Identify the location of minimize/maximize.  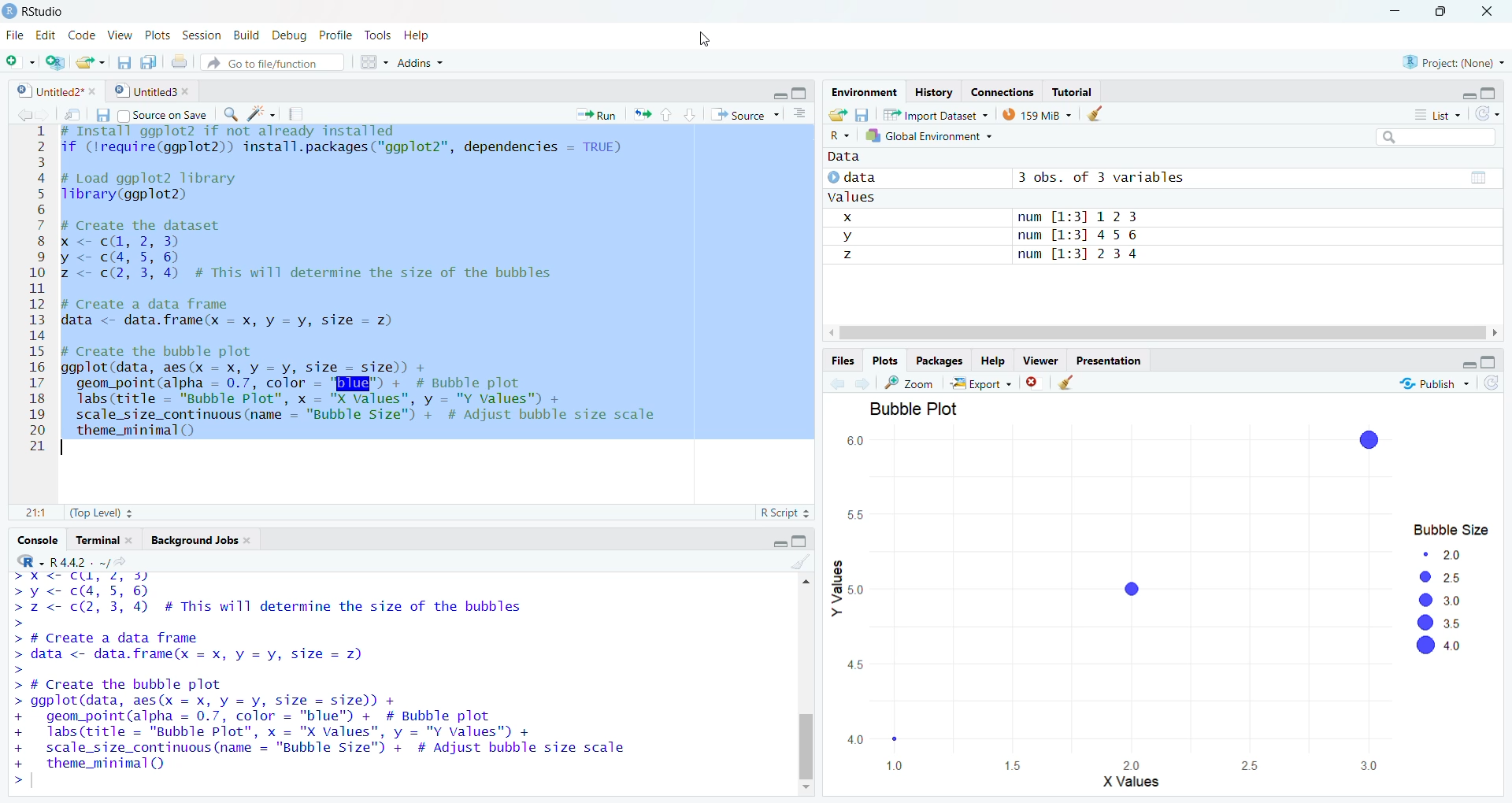
(784, 91).